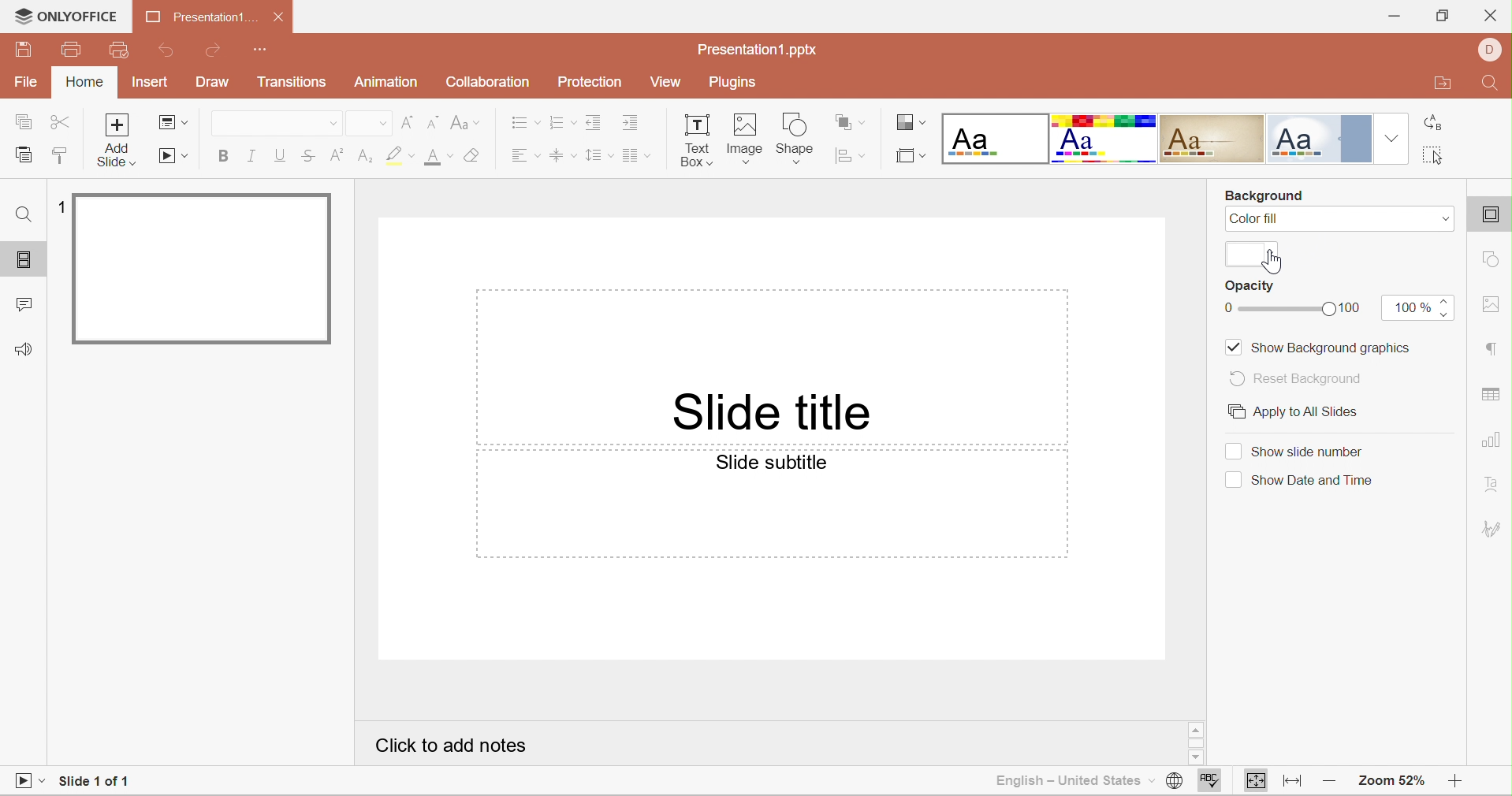 The image size is (1512, 796). What do you see at coordinates (1493, 48) in the screenshot?
I see `DELL` at bounding box center [1493, 48].